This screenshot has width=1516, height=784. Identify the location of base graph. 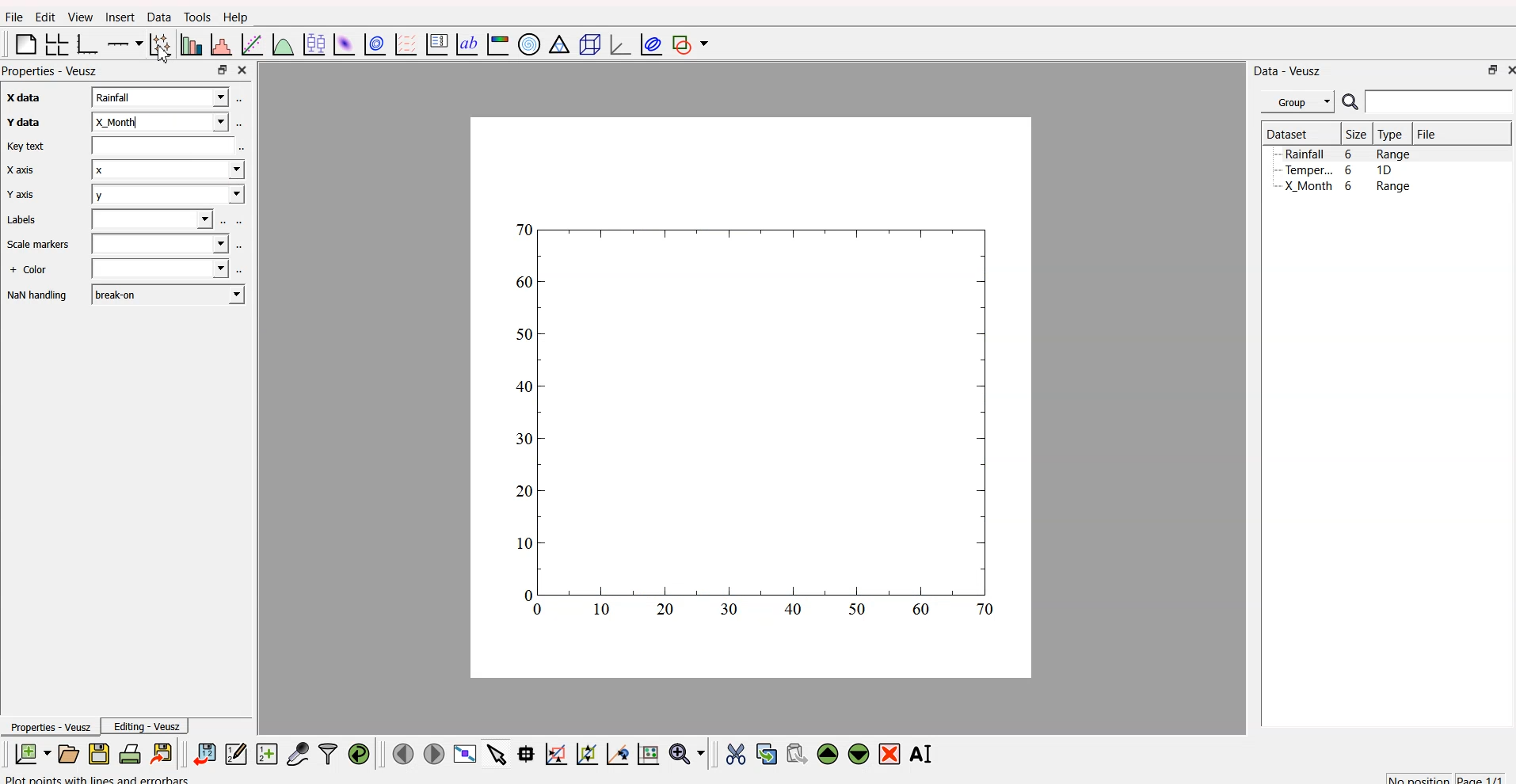
(88, 44).